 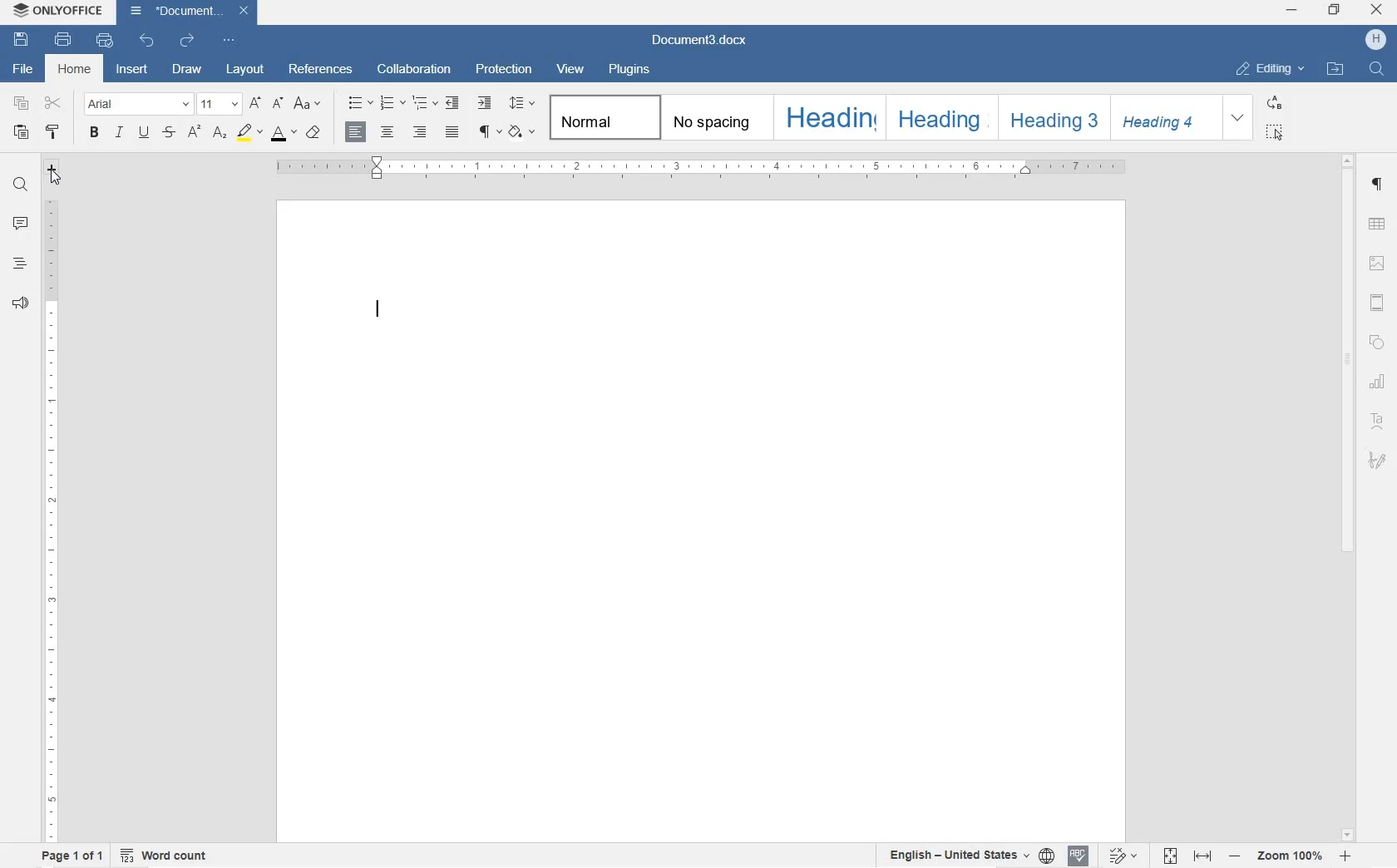 I want to click on PLUGINS, so click(x=628, y=72).